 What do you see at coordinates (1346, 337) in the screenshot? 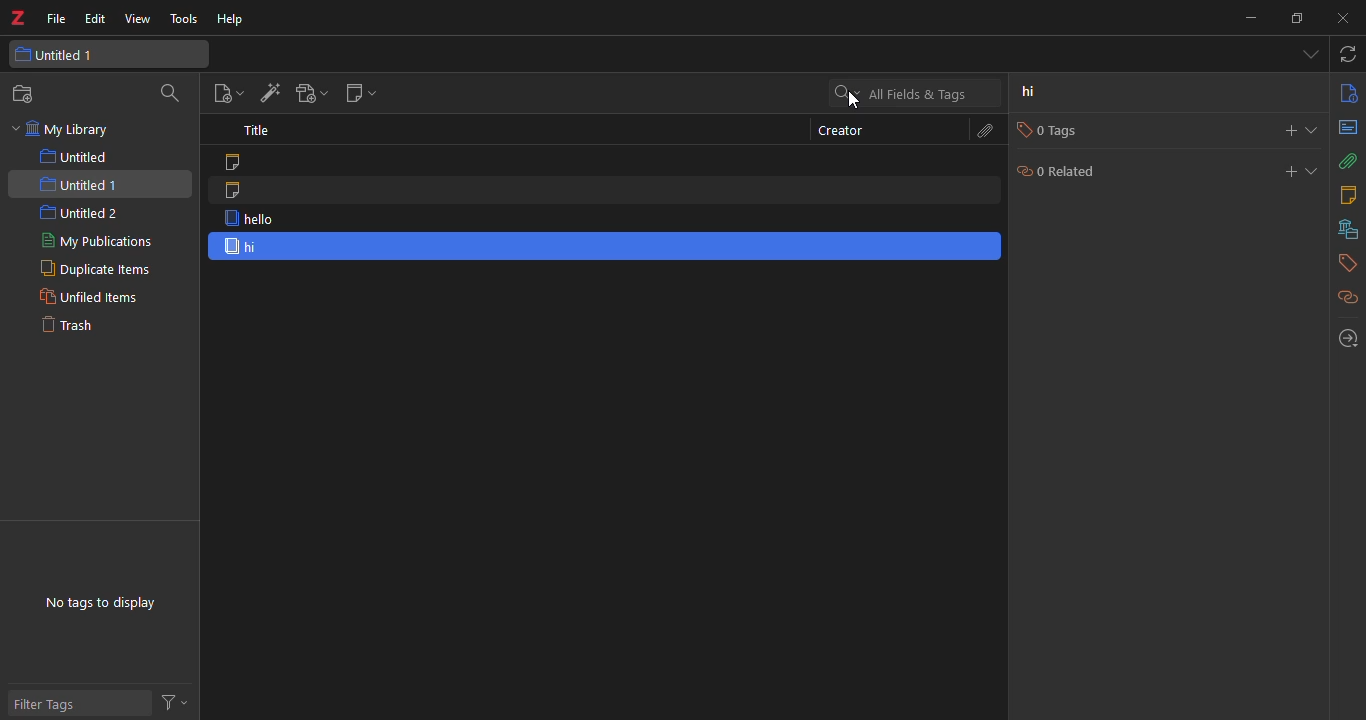
I see `locate` at bounding box center [1346, 337].